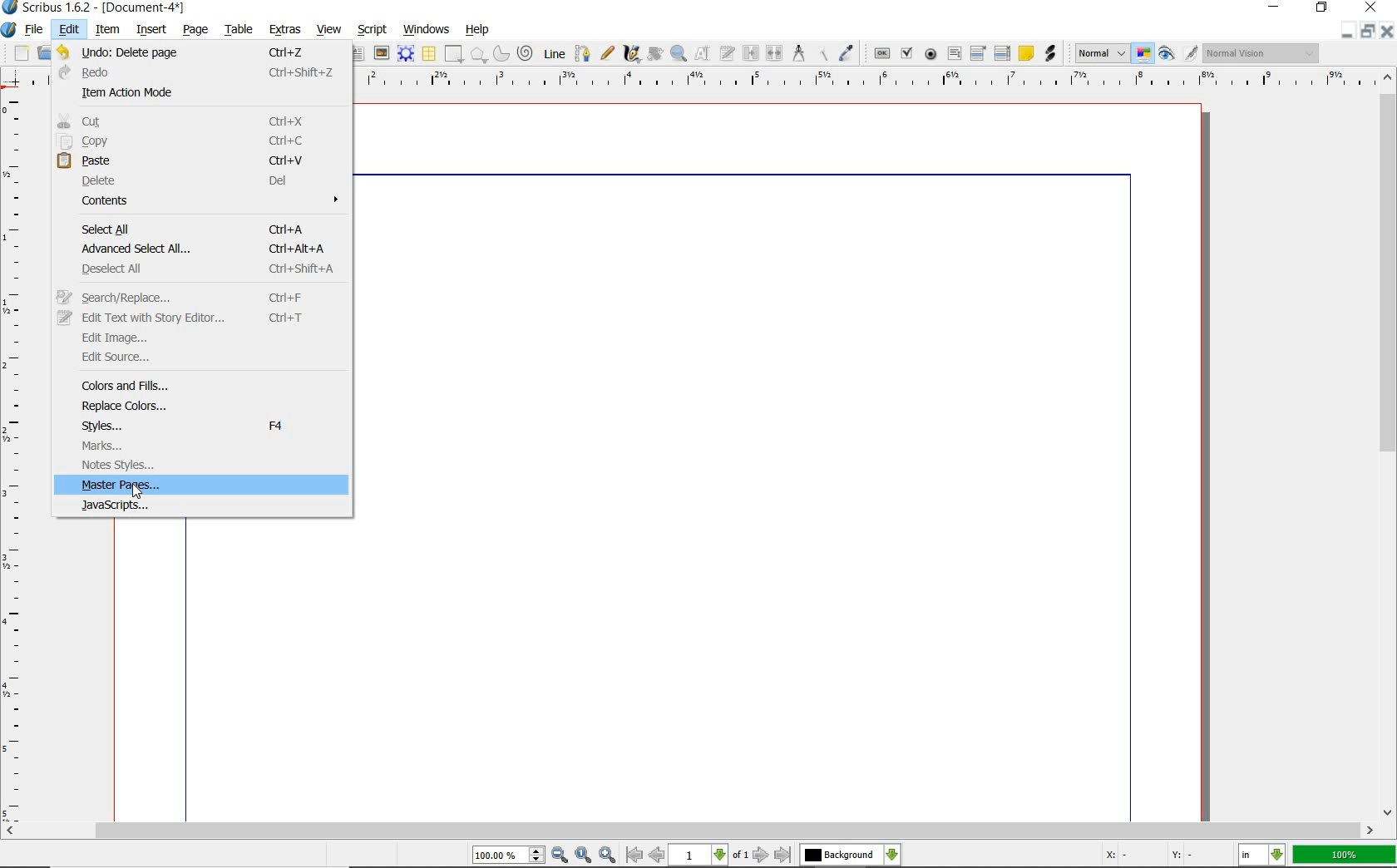 This screenshot has width=1397, height=868. Describe the element at coordinates (208, 247) in the screenshot. I see `advanced select all` at that location.